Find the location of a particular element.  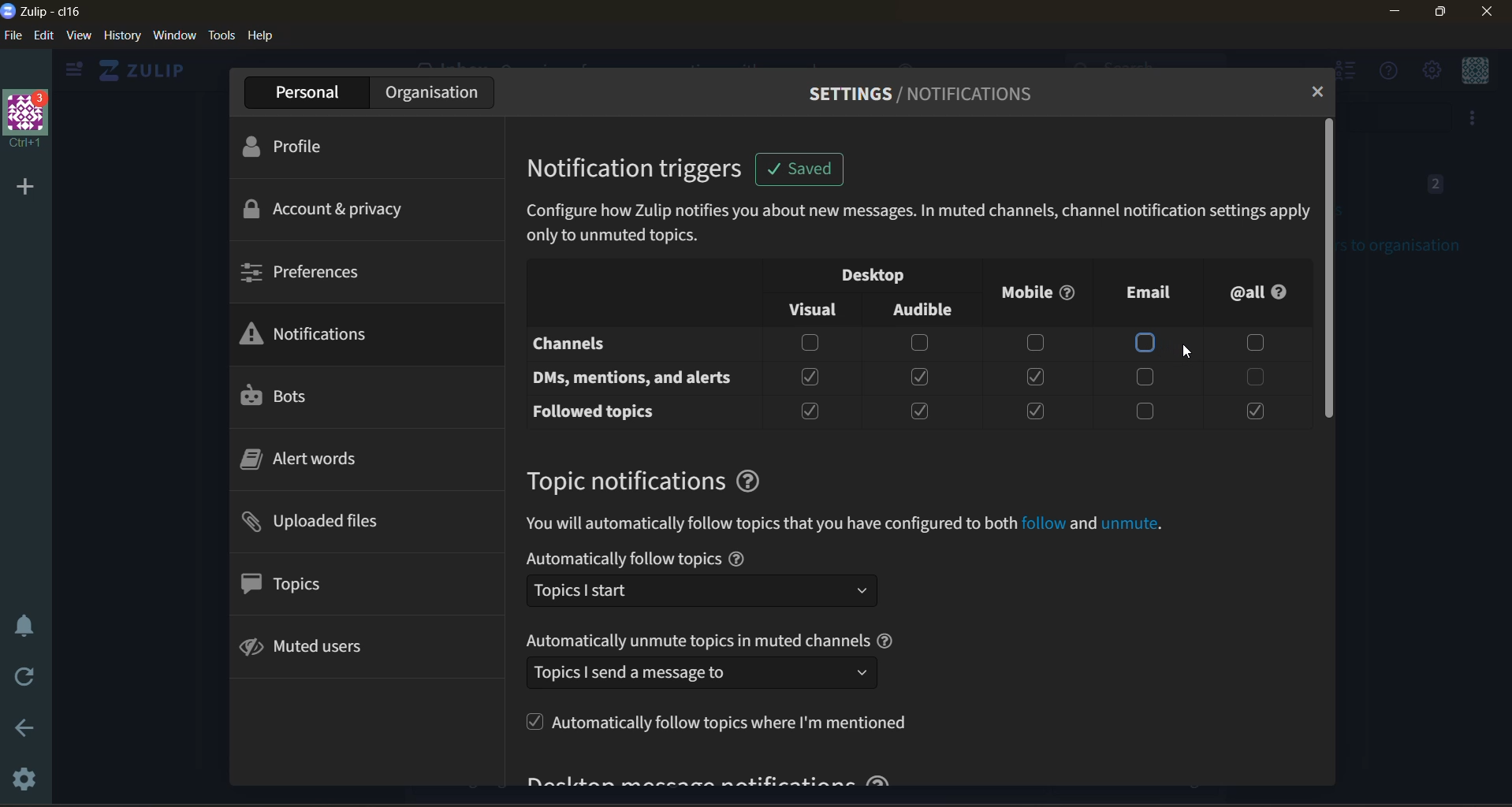

visual is located at coordinates (811, 310).